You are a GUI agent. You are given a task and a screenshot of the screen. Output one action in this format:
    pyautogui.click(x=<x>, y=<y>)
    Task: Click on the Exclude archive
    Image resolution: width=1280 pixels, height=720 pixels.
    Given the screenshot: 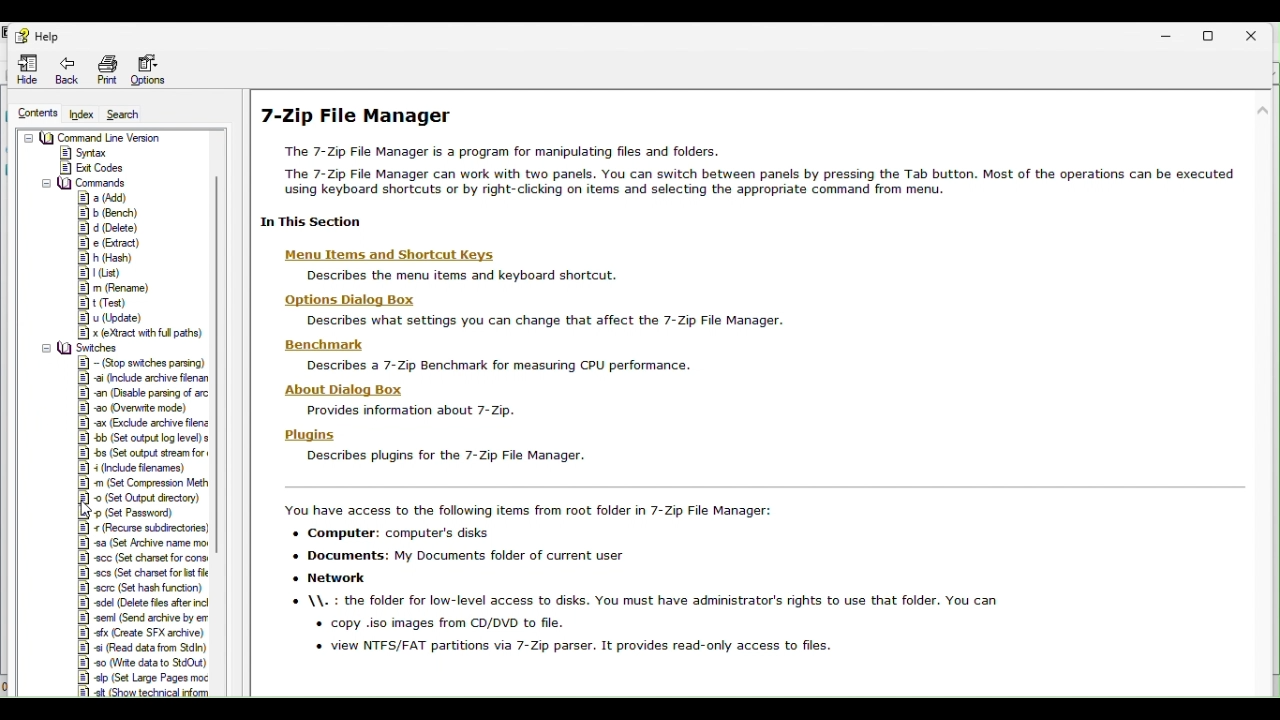 What is the action you would take?
    pyautogui.click(x=138, y=423)
    